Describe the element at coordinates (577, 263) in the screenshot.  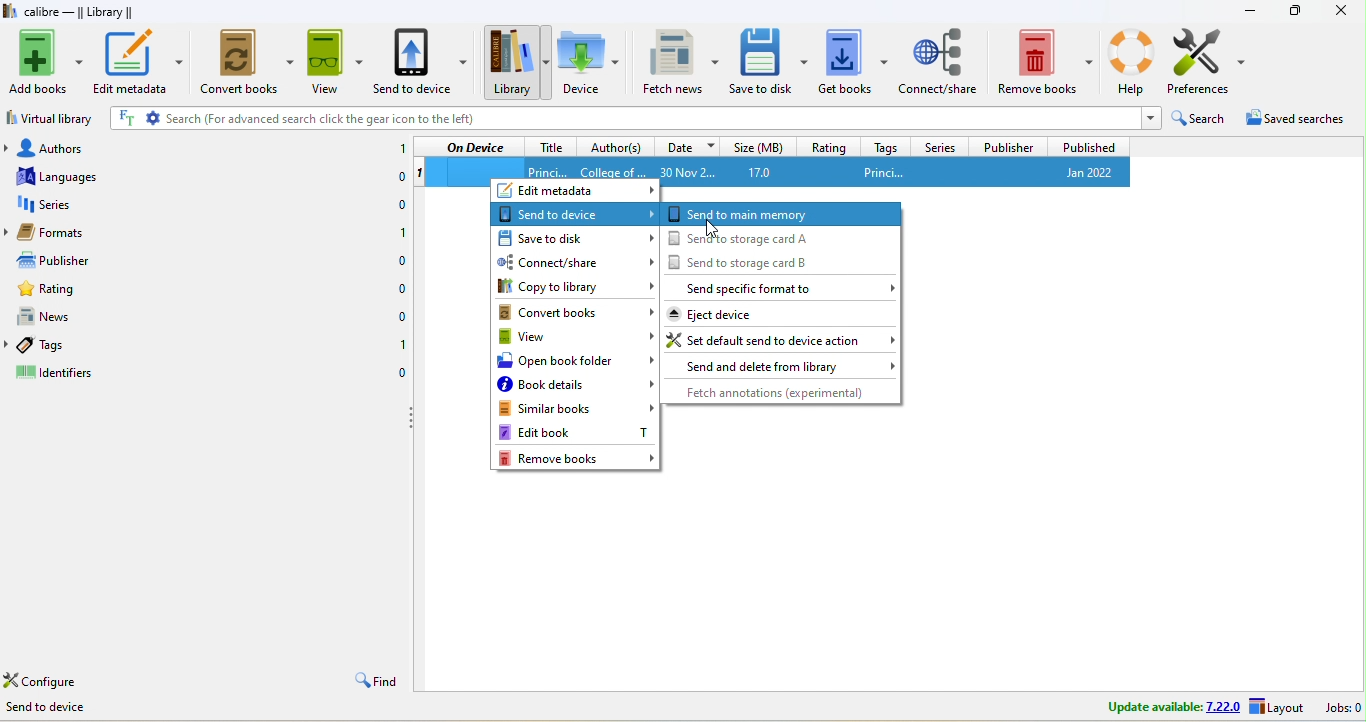
I see `connect/share` at that location.